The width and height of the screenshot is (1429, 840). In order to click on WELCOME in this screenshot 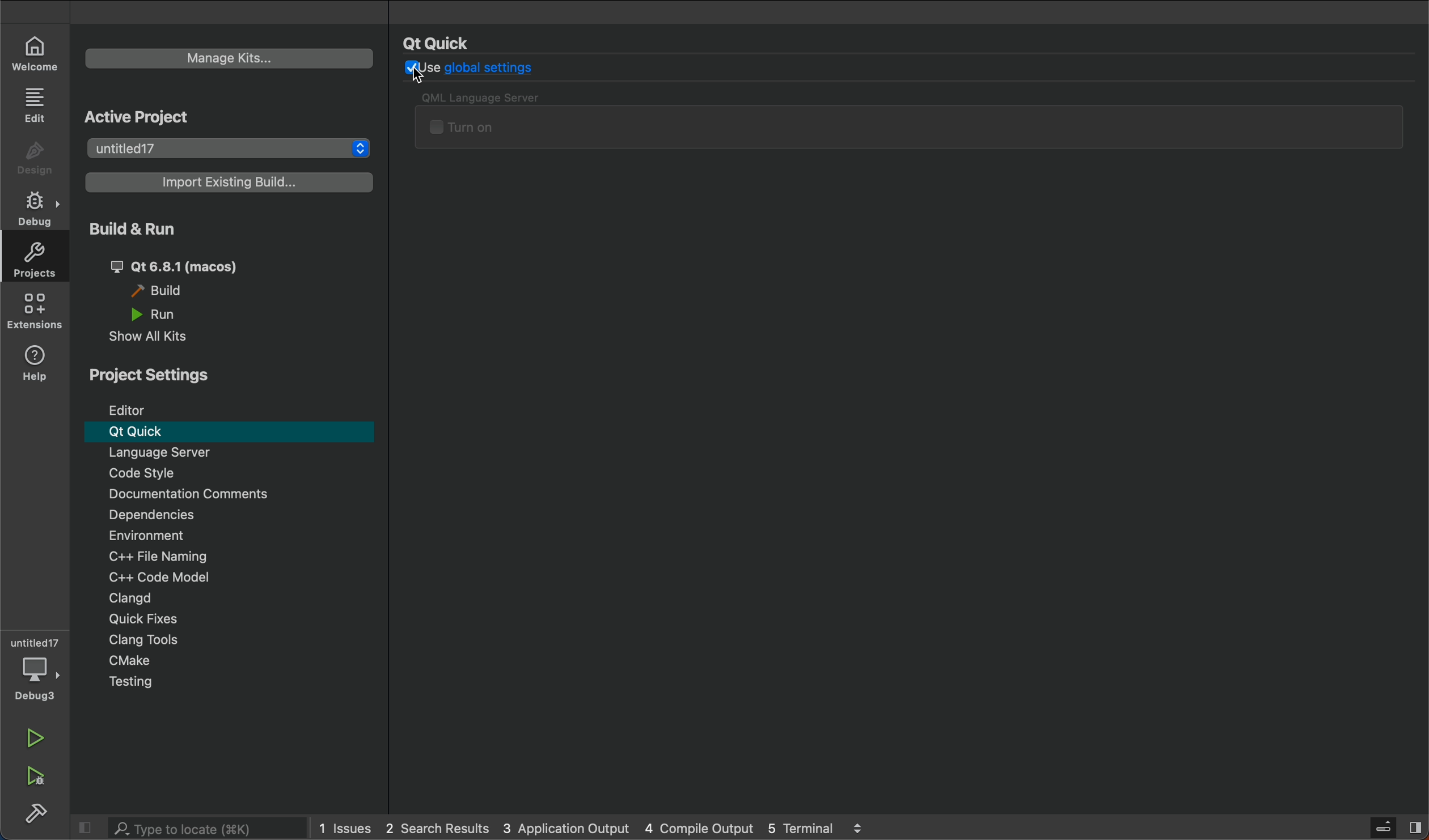, I will do `click(37, 54)`.